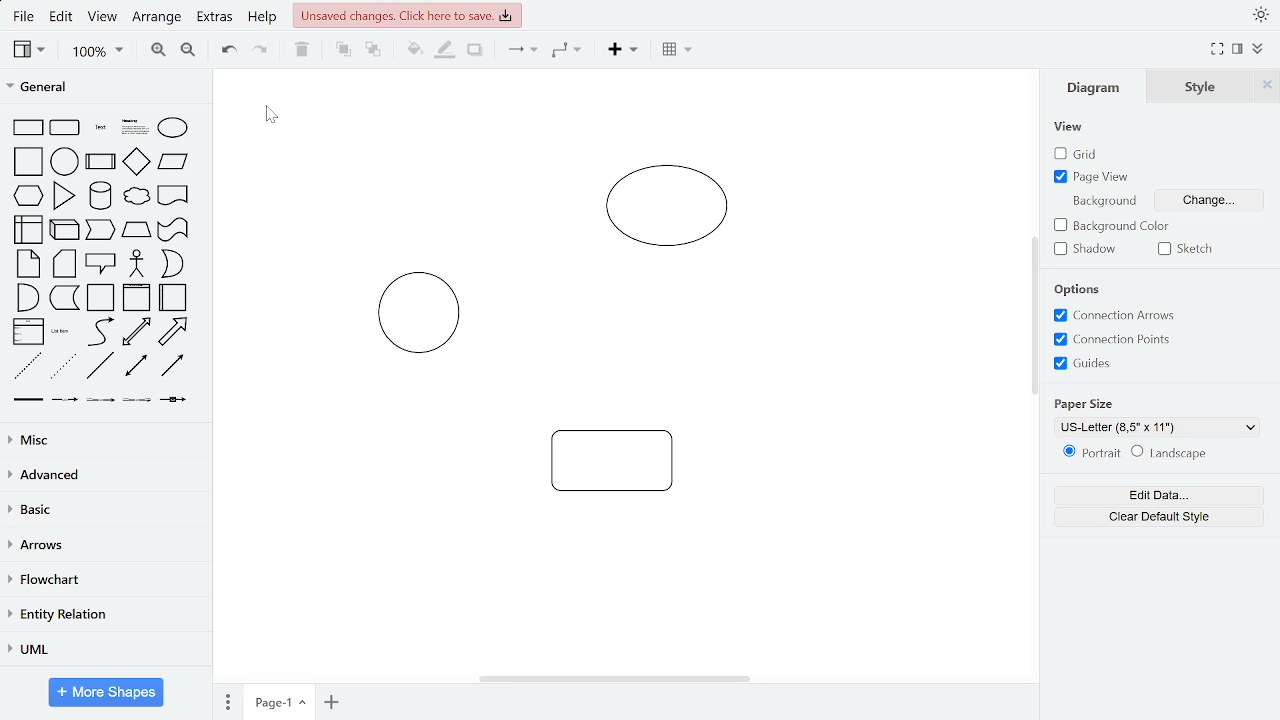 The height and width of the screenshot is (720, 1280). What do you see at coordinates (1082, 404) in the screenshot?
I see `papersize` at bounding box center [1082, 404].